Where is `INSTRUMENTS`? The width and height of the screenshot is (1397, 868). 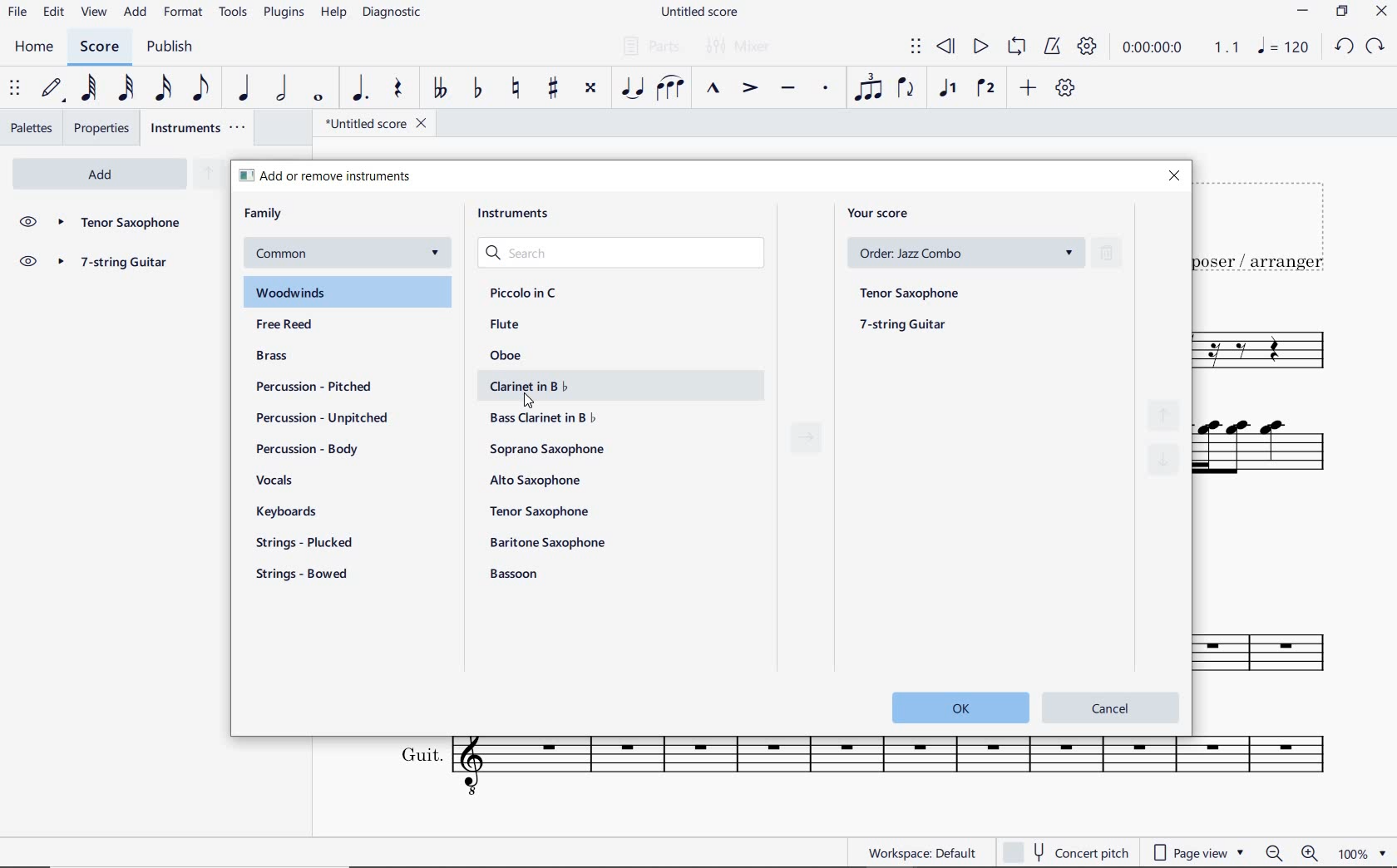 INSTRUMENTS is located at coordinates (200, 127).